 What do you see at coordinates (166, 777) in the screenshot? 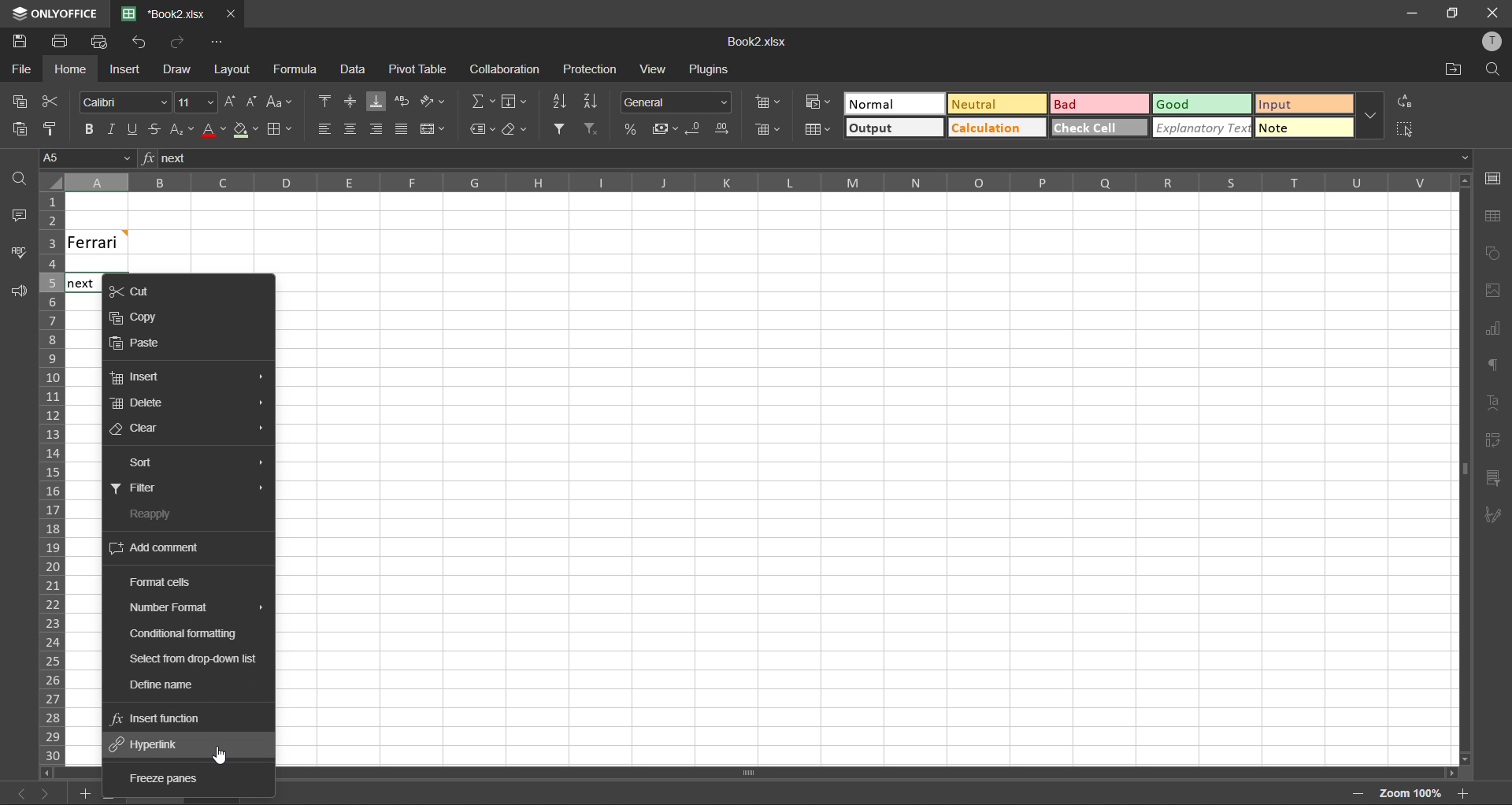
I see `freeze panes` at bounding box center [166, 777].